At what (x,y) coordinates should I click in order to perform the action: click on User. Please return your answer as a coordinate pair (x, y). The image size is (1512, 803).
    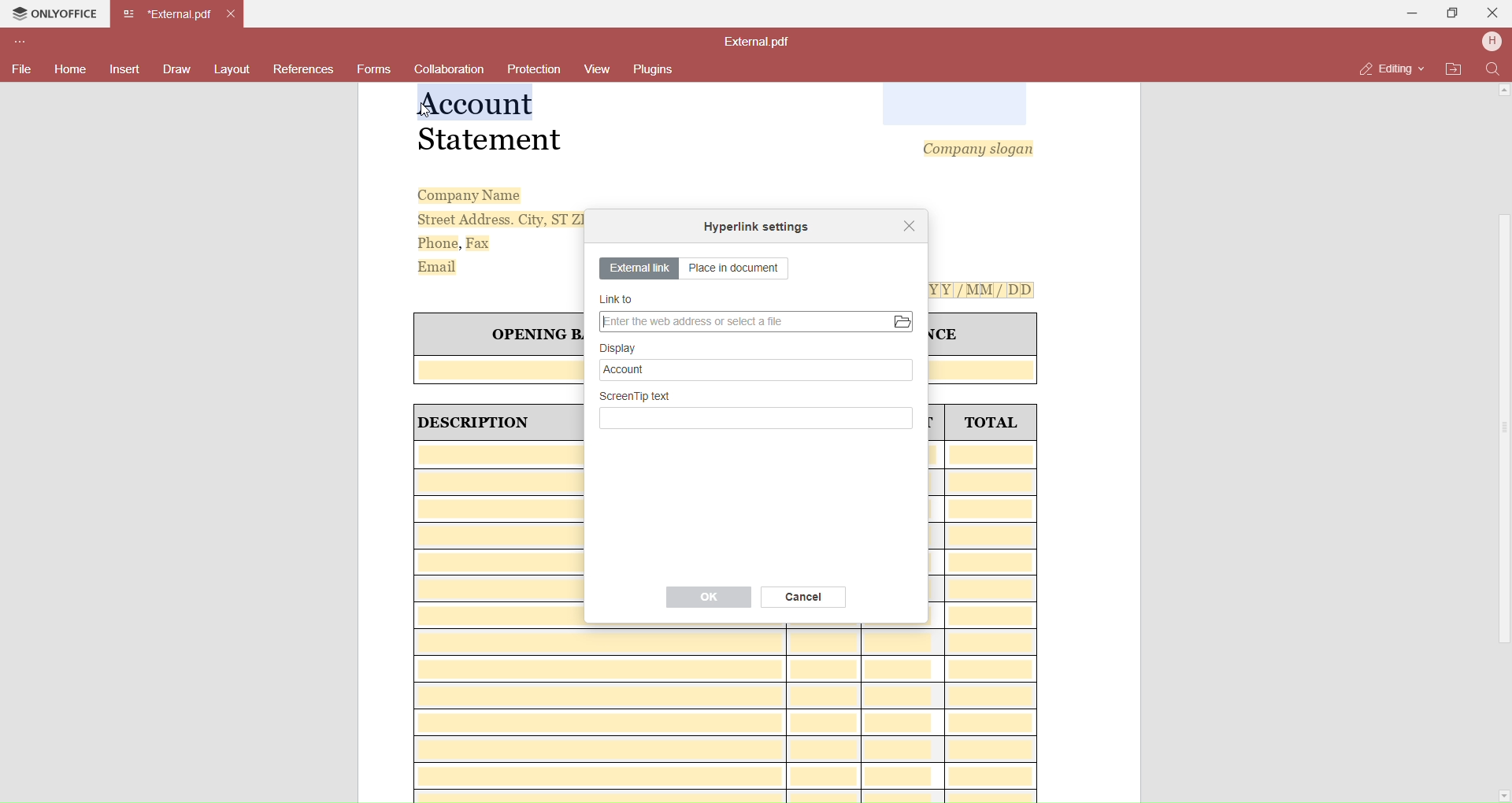
    Looking at the image, I should click on (1492, 43).